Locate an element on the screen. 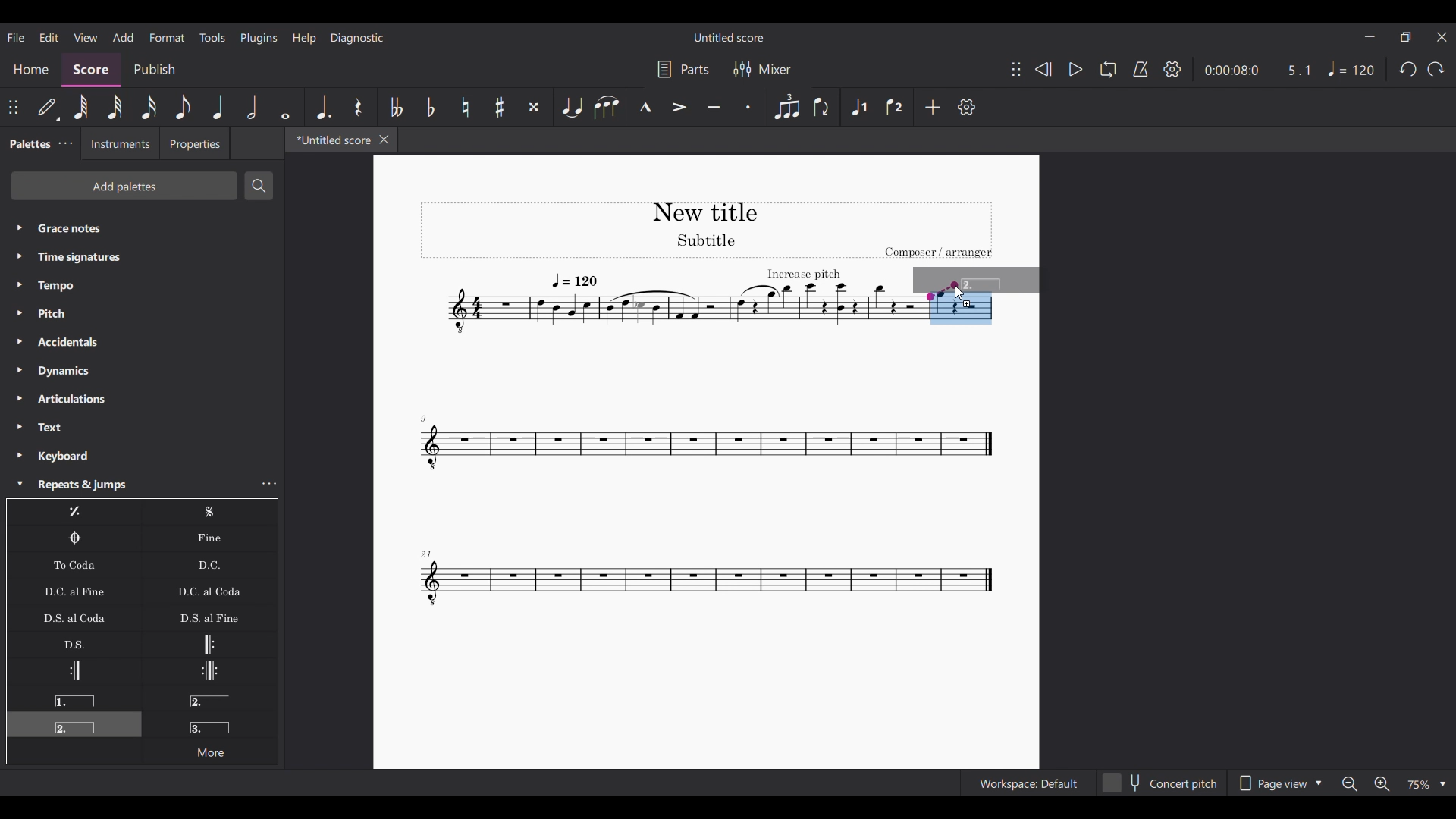  More is located at coordinates (209, 750).